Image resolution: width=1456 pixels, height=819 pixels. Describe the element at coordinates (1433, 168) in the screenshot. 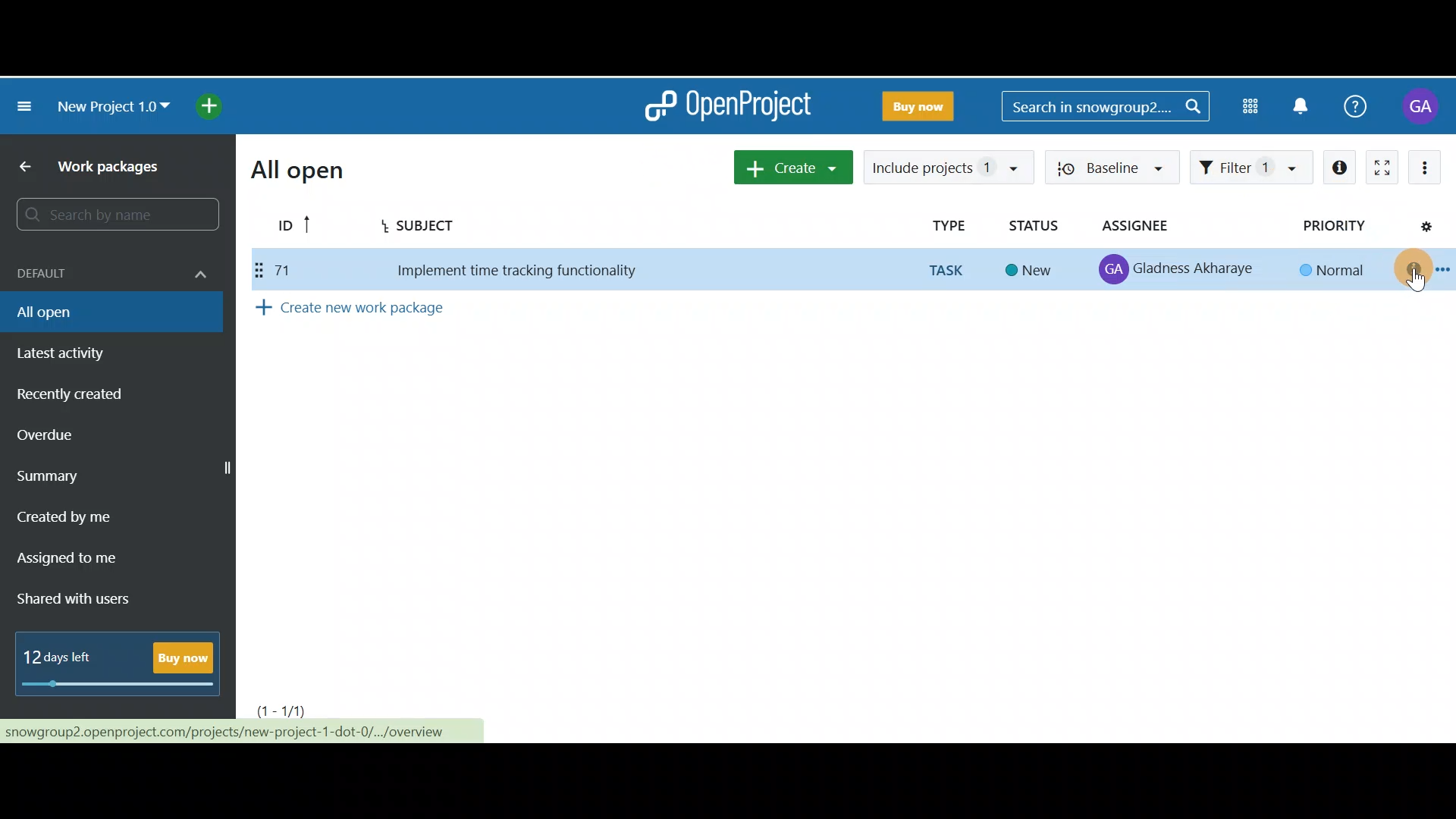

I see `More actions` at that location.